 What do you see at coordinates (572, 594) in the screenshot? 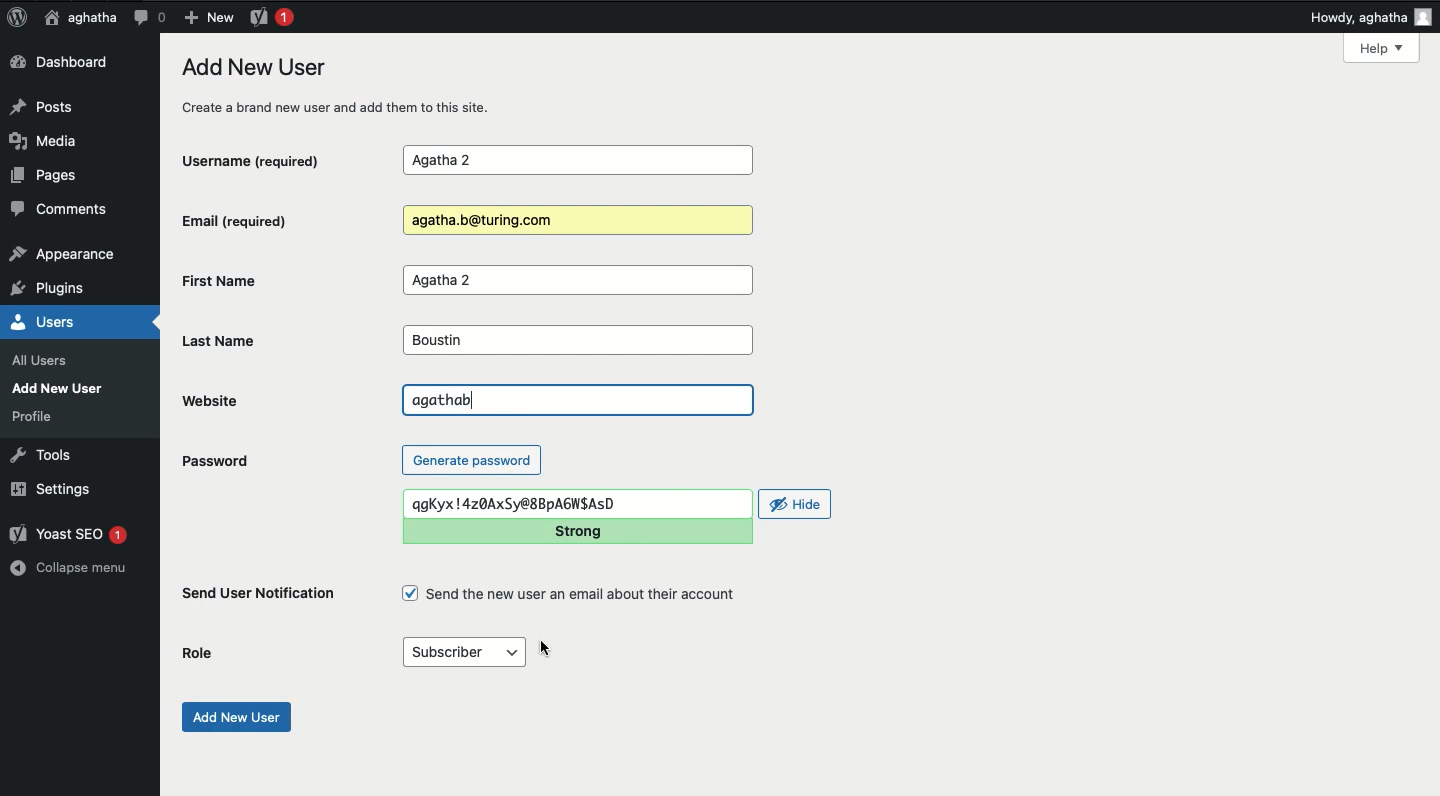
I see `Send the new user an email about their account` at bounding box center [572, 594].